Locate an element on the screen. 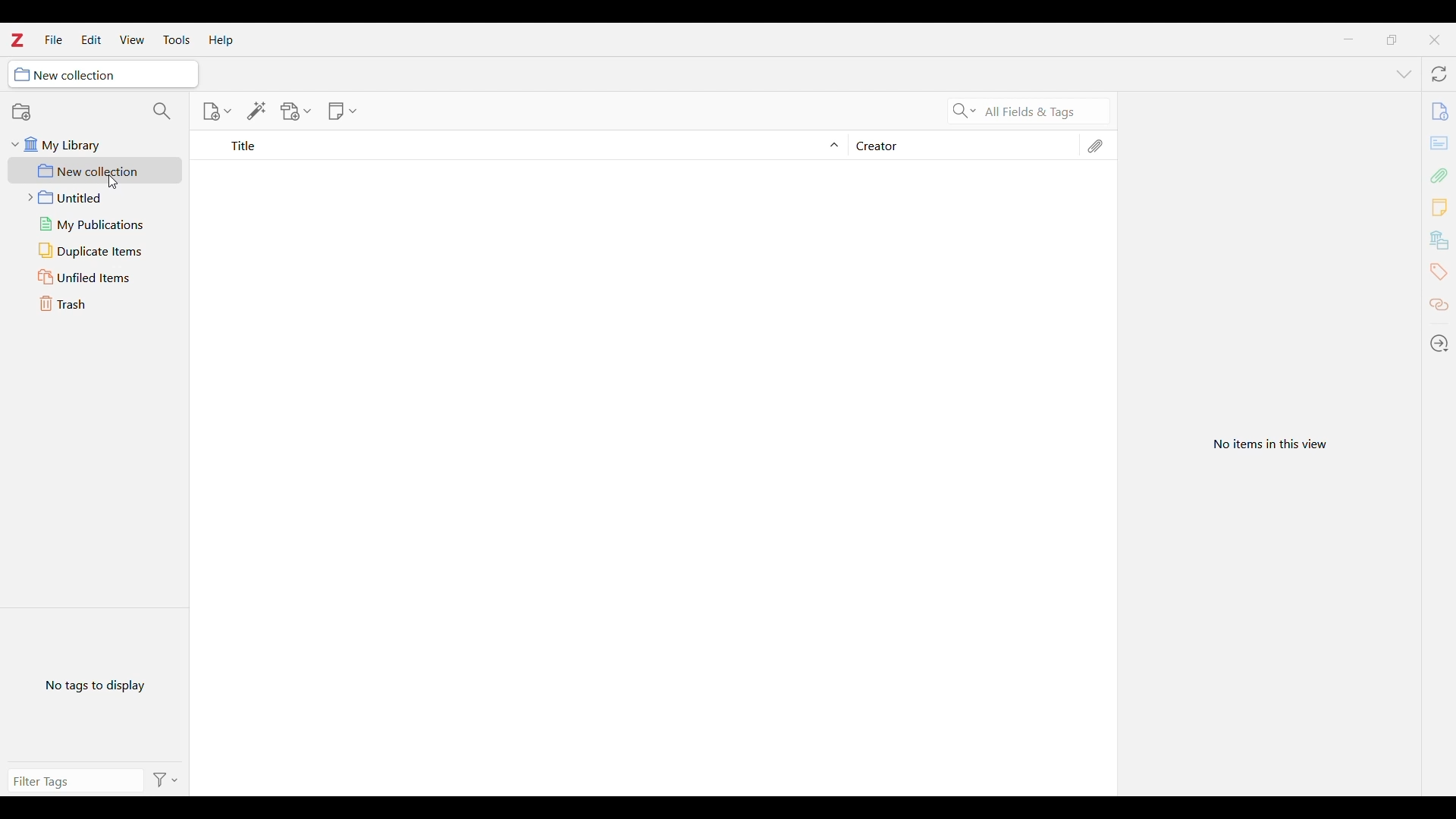 The height and width of the screenshot is (819, 1456). Cursor right clicking on New collection folder is located at coordinates (114, 181).